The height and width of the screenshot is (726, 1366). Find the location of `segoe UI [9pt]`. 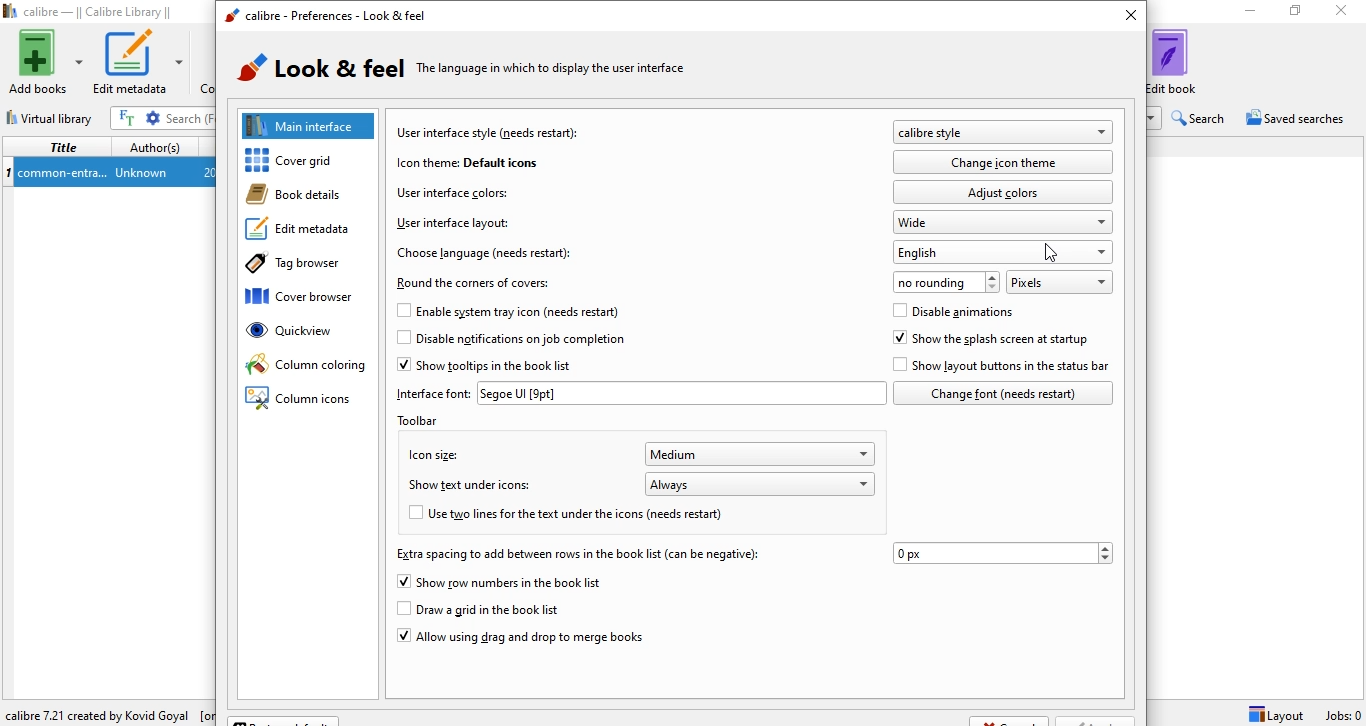

segoe UI [9pt] is located at coordinates (681, 393).